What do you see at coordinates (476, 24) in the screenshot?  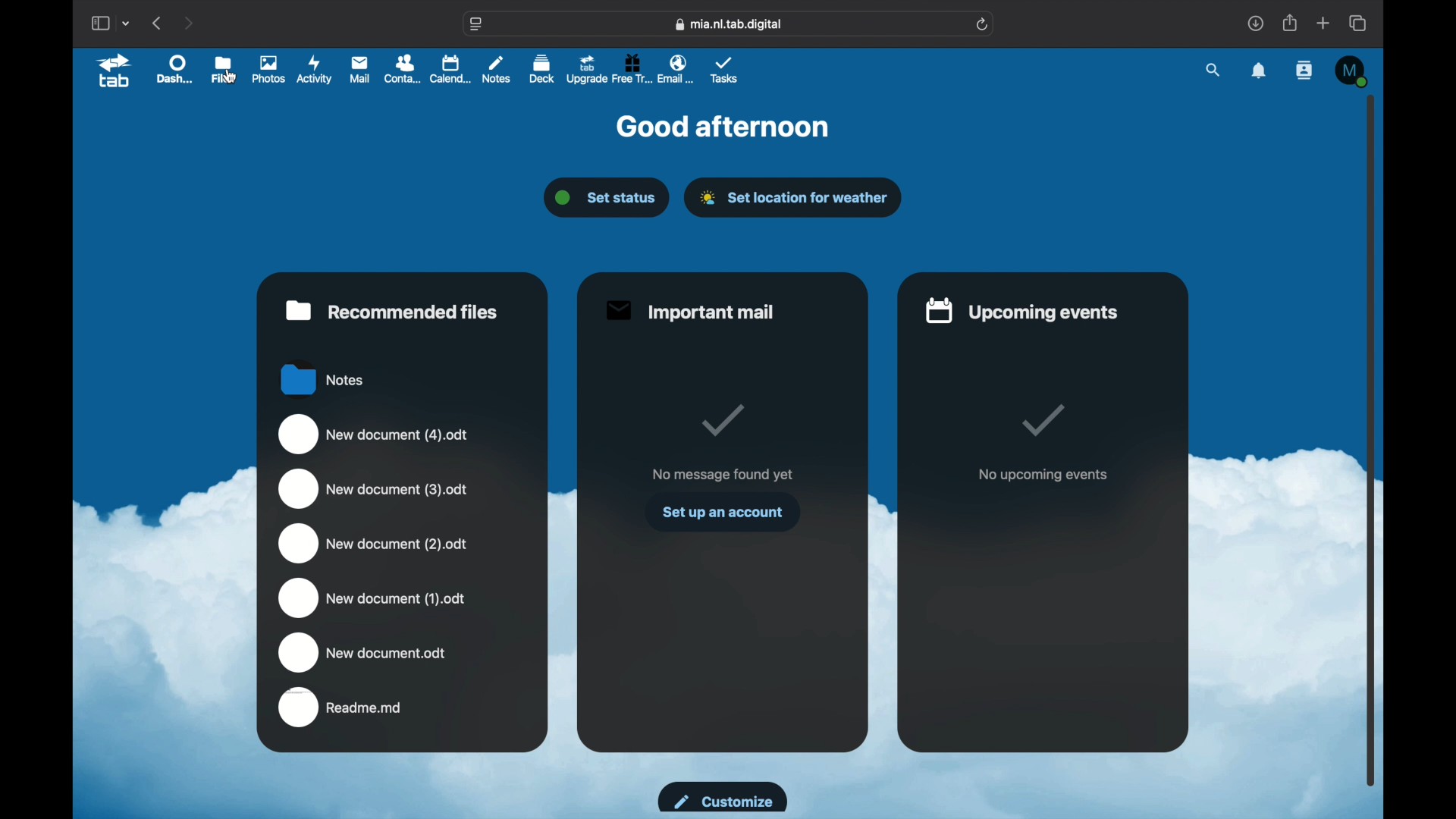 I see `website settings` at bounding box center [476, 24].